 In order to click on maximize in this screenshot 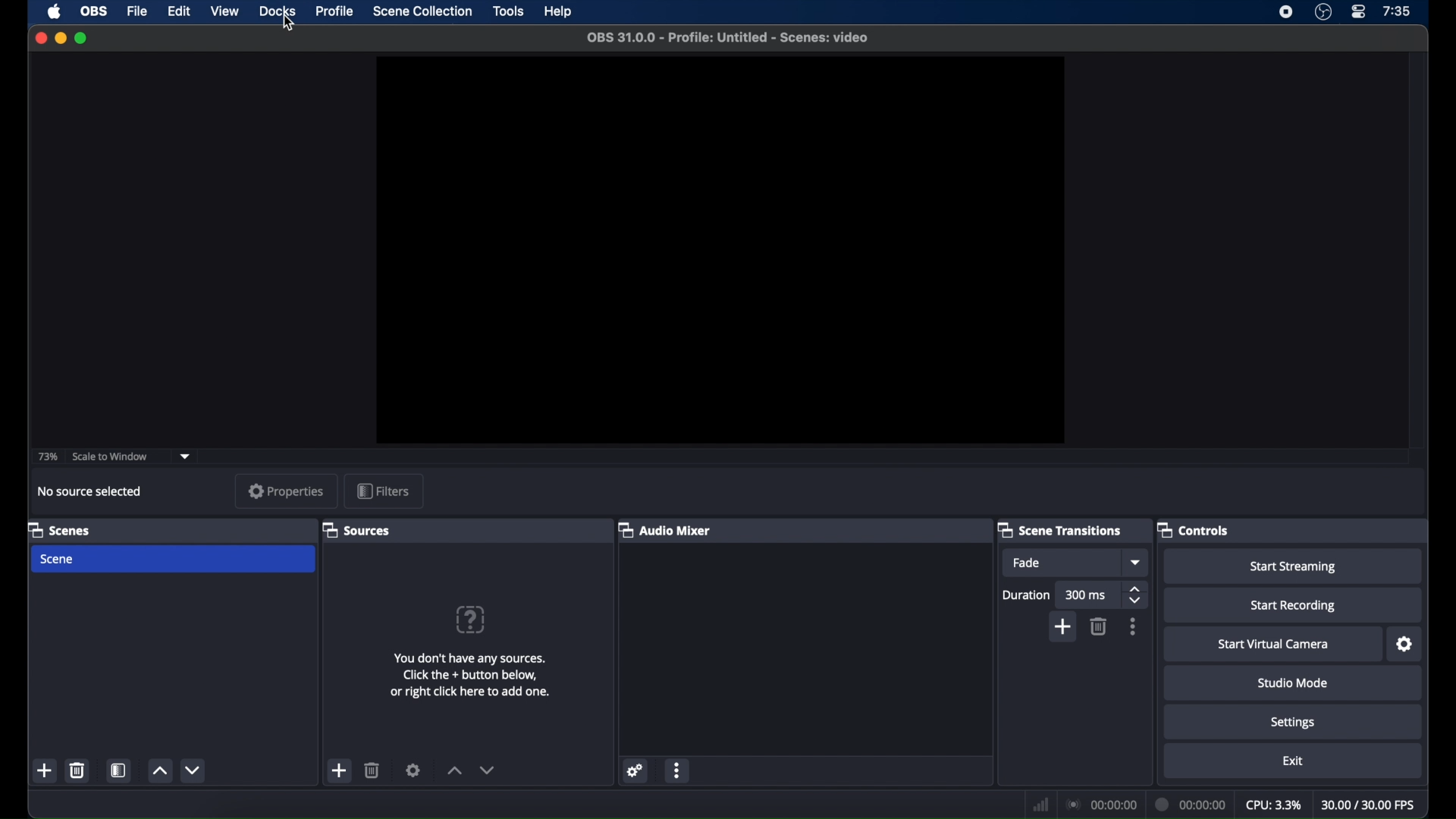, I will do `click(83, 38)`.